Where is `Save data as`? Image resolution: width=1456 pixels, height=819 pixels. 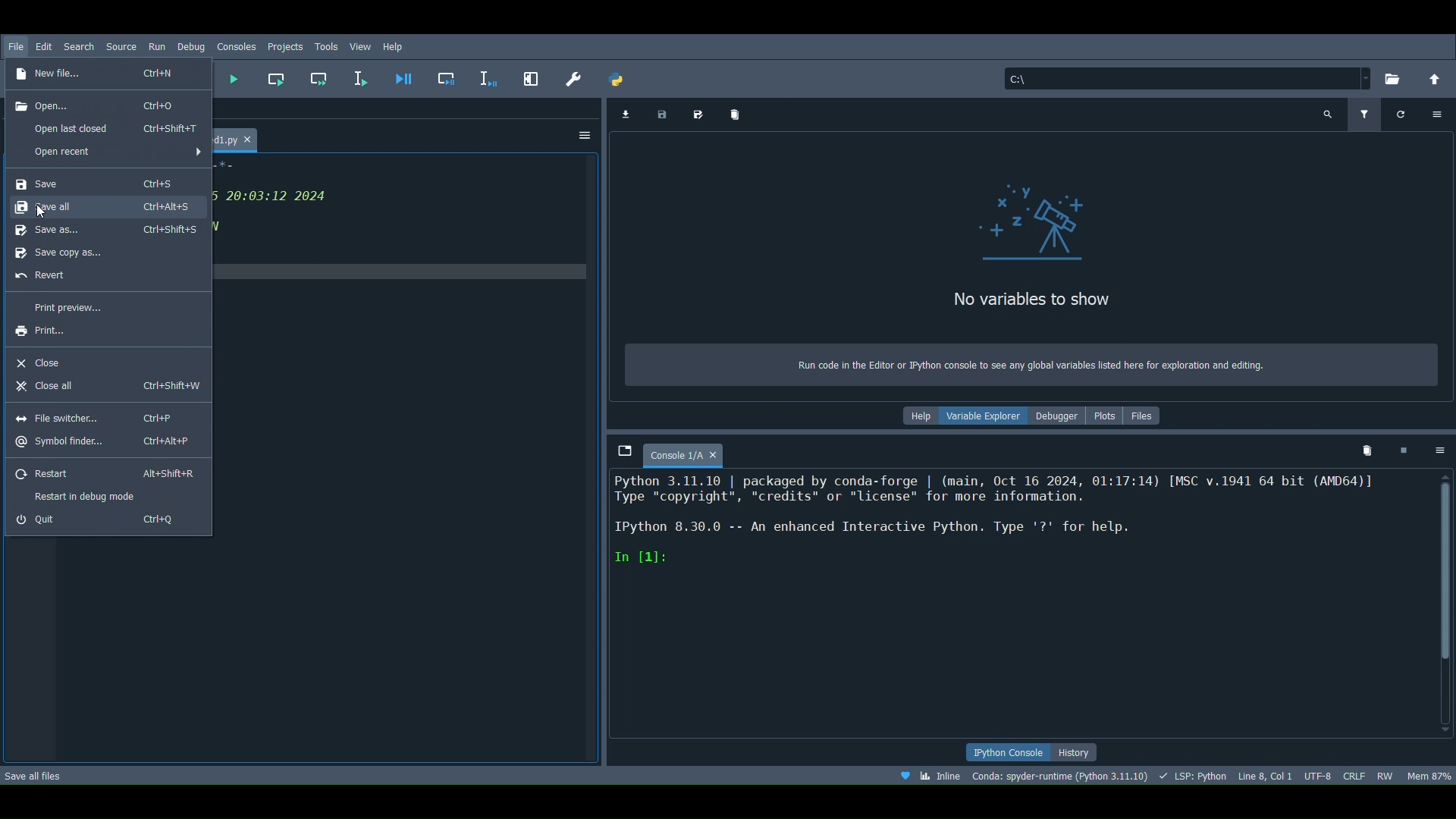
Save data as is located at coordinates (701, 111).